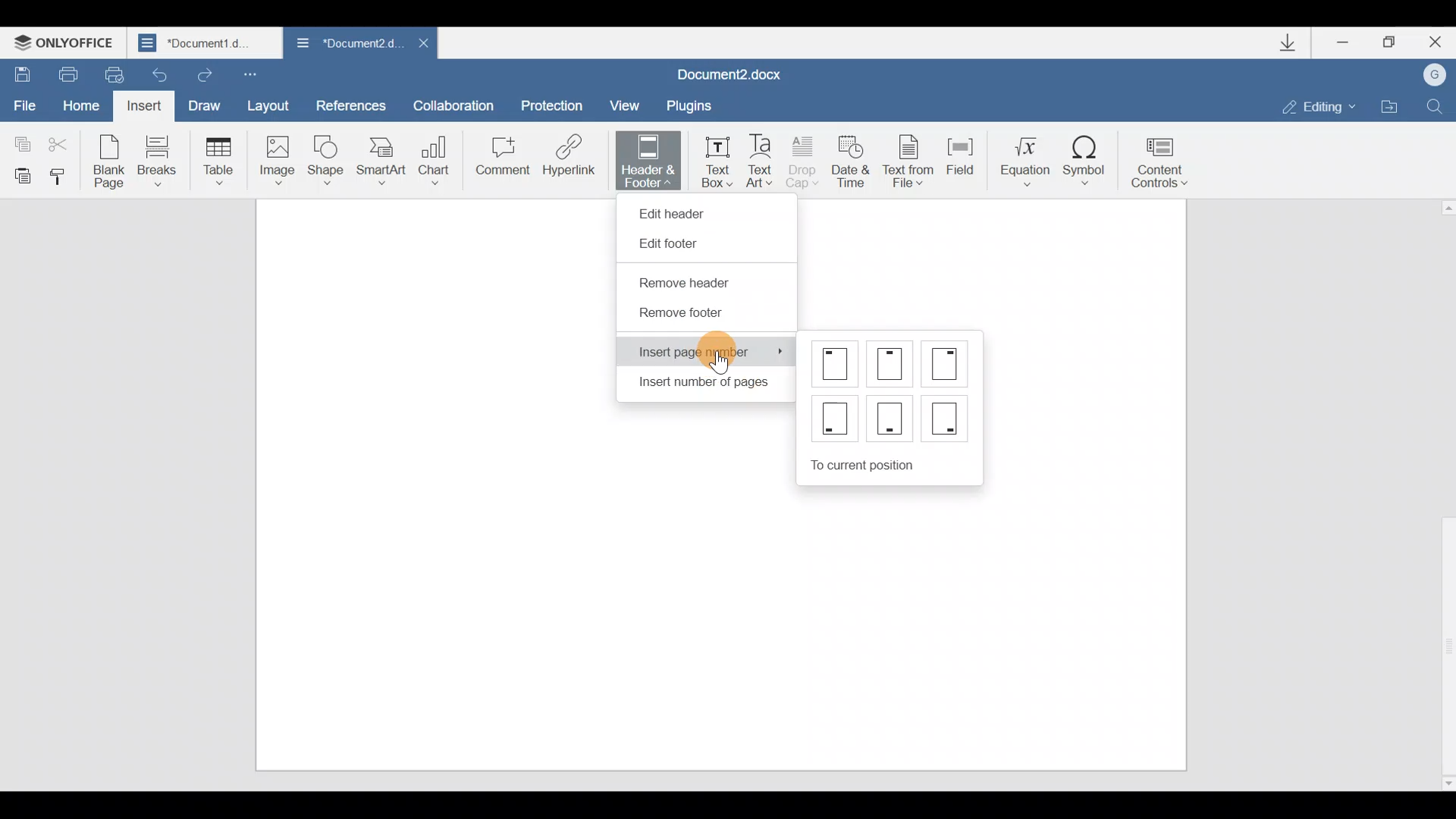 This screenshot has width=1456, height=819. Describe the element at coordinates (459, 104) in the screenshot. I see `Collaboration` at that location.